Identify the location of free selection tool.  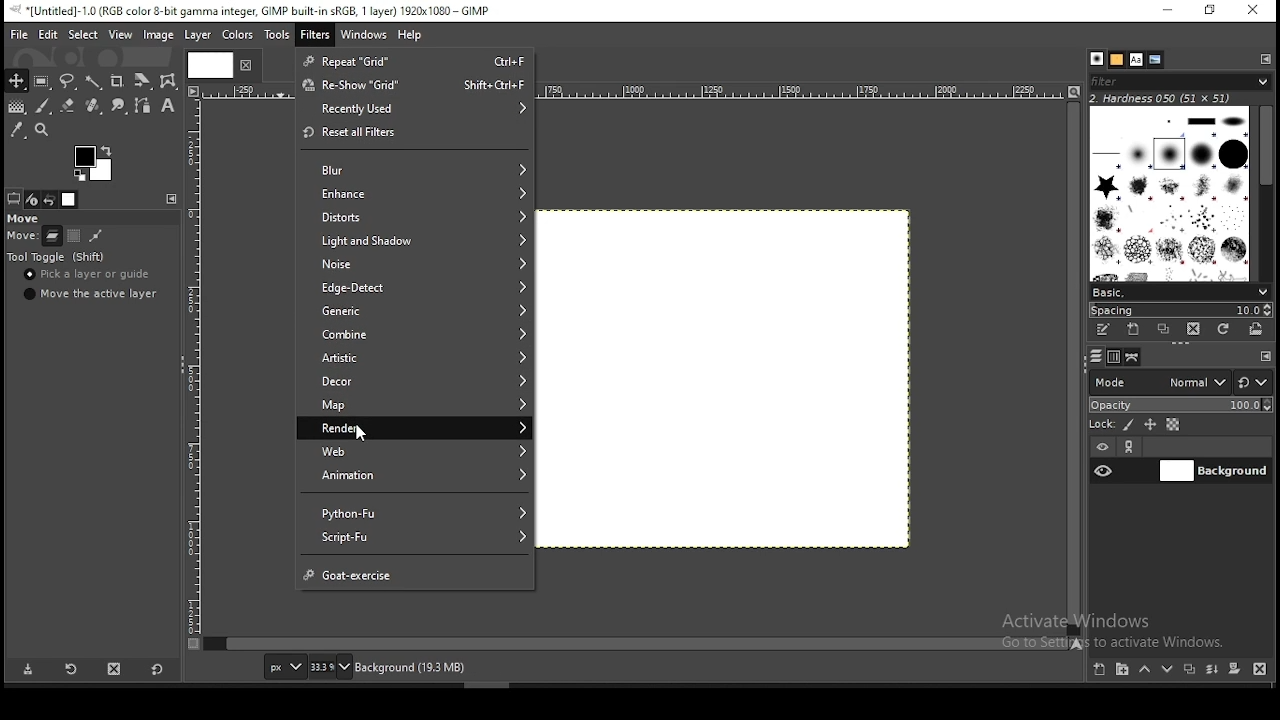
(68, 81).